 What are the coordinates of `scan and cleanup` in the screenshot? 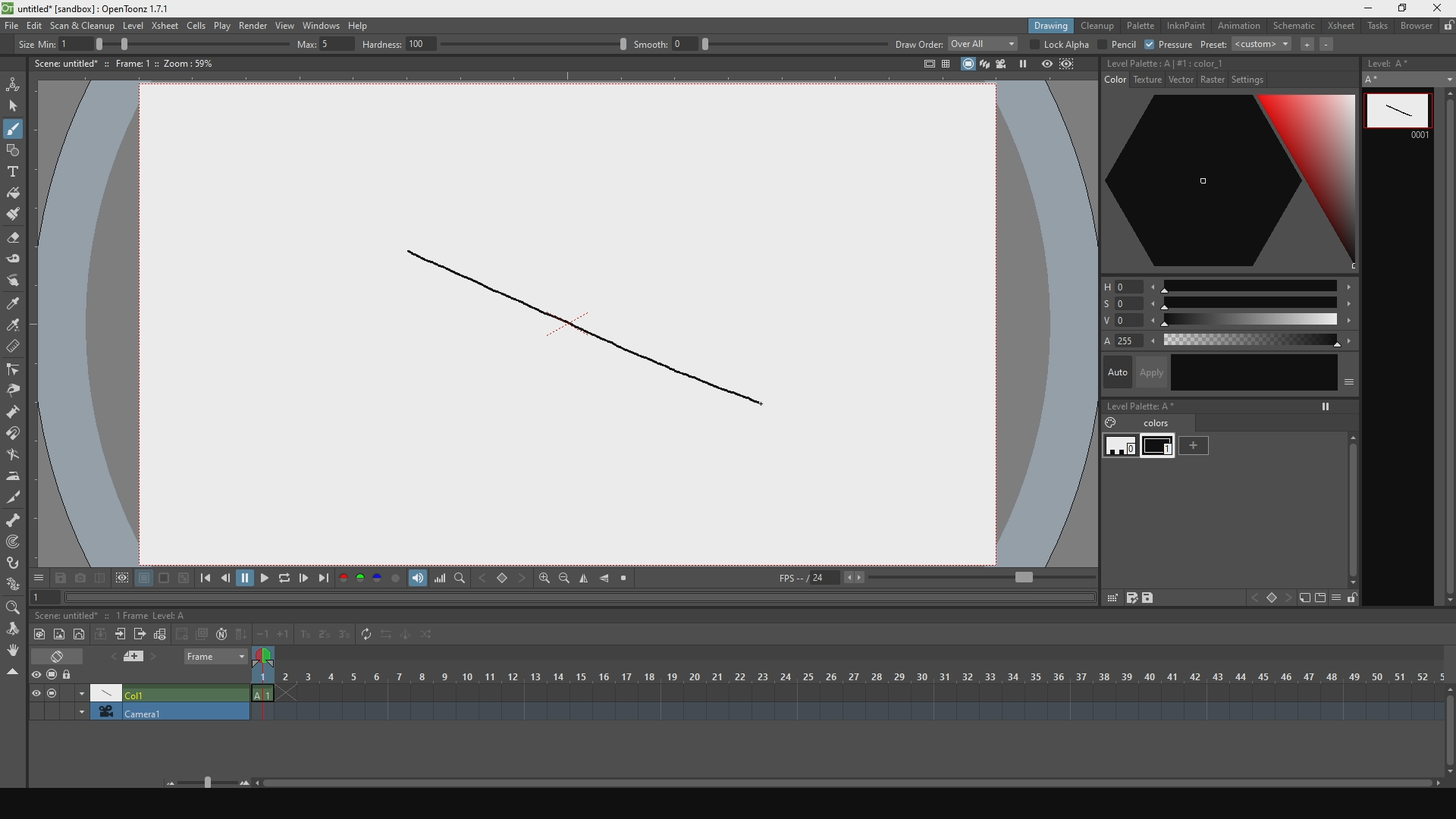 It's located at (83, 24).